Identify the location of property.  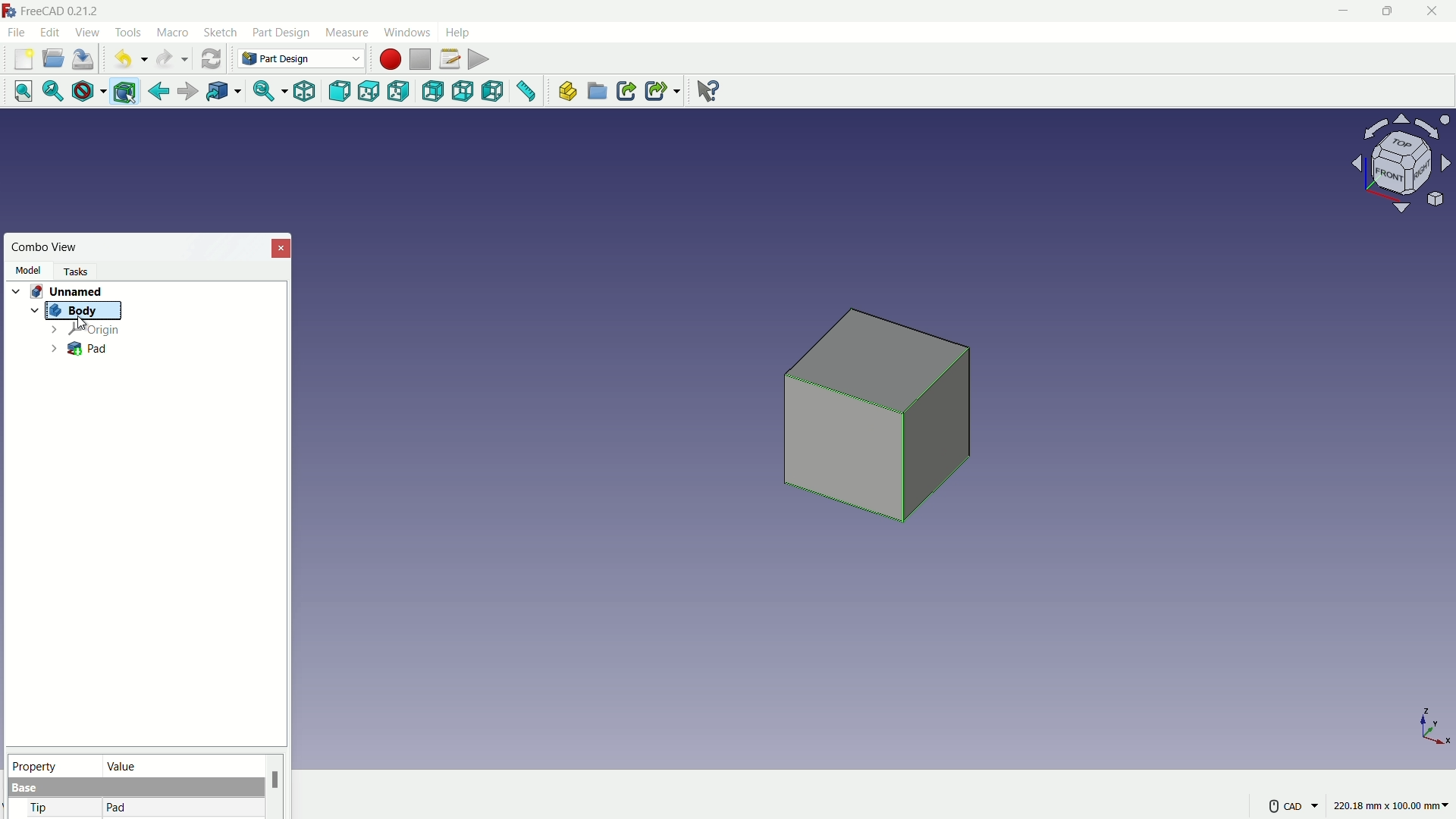
(52, 764).